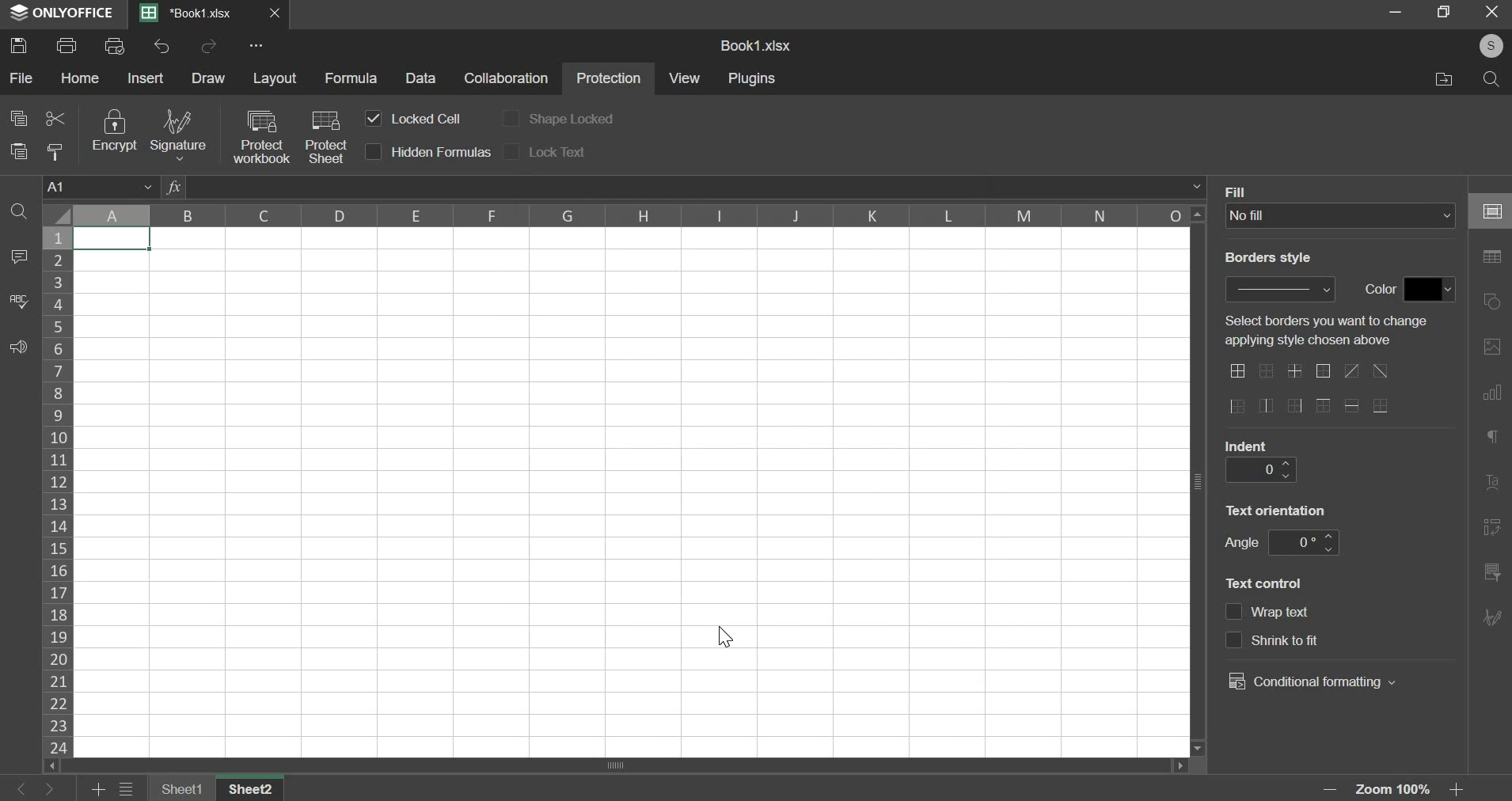  I want to click on feedback, so click(17, 347).